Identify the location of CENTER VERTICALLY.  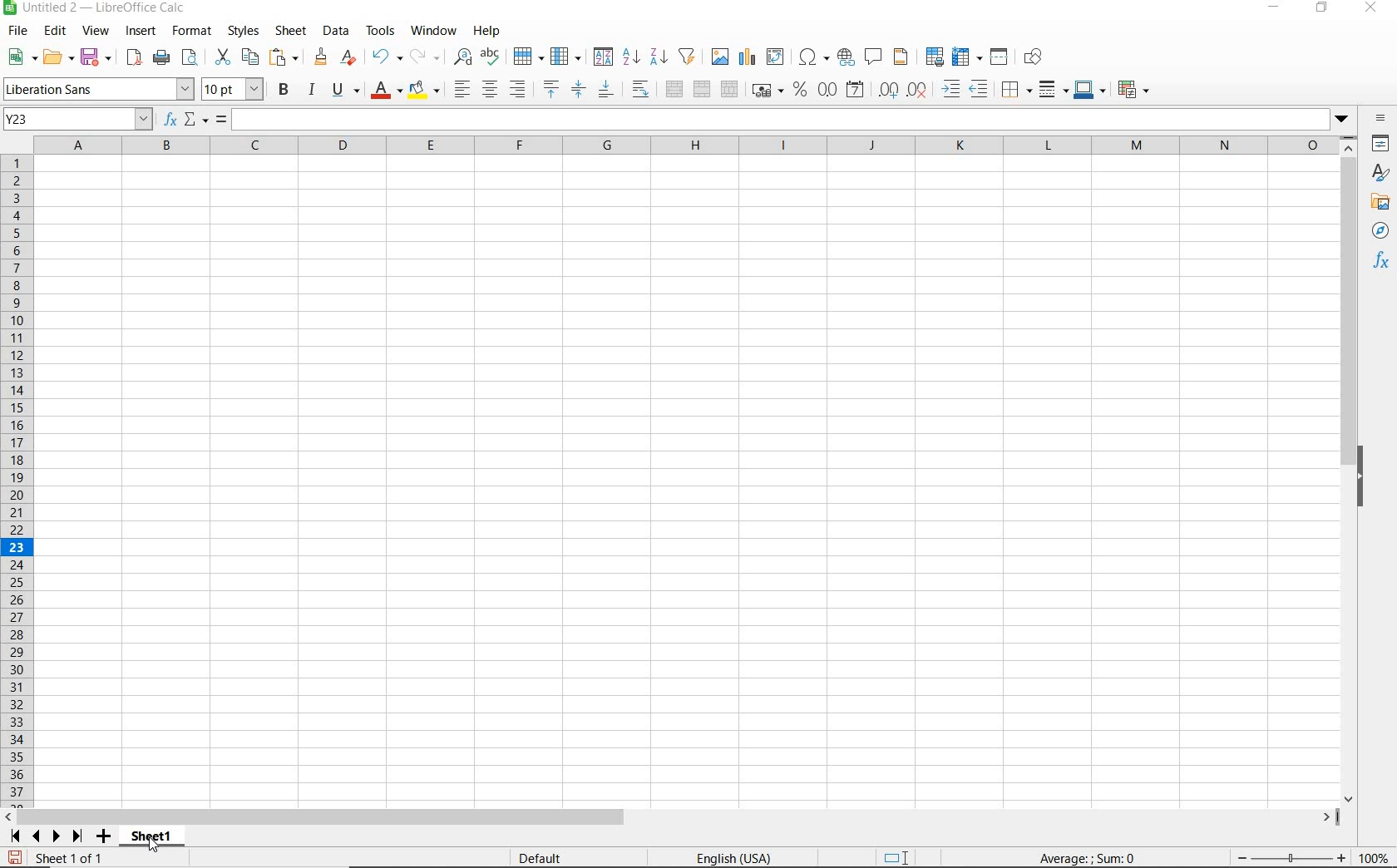
(579, 91).